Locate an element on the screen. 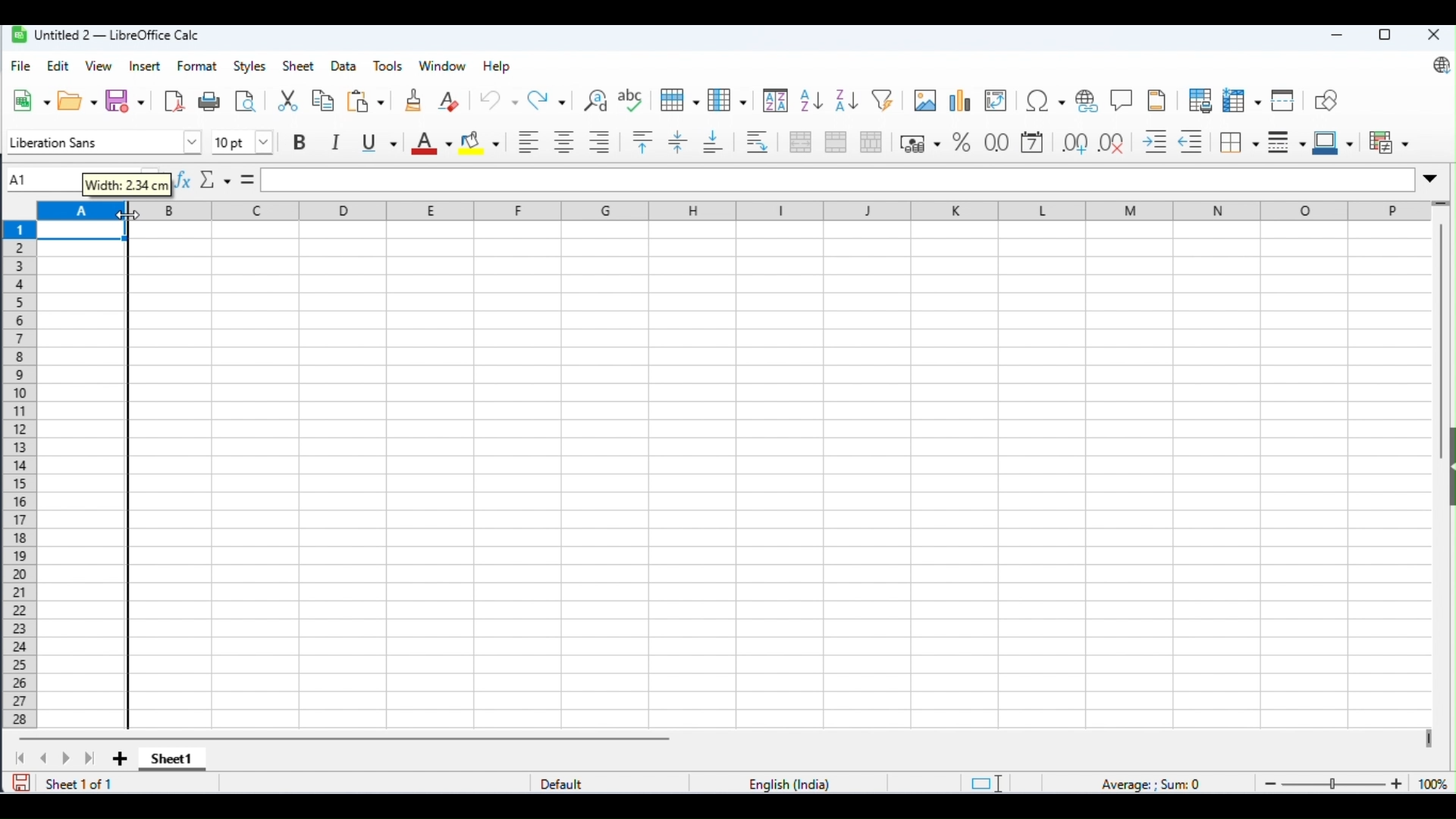 The width and height of the screenshot is (1456, 819). insert image is located at coordinates (924, 100).